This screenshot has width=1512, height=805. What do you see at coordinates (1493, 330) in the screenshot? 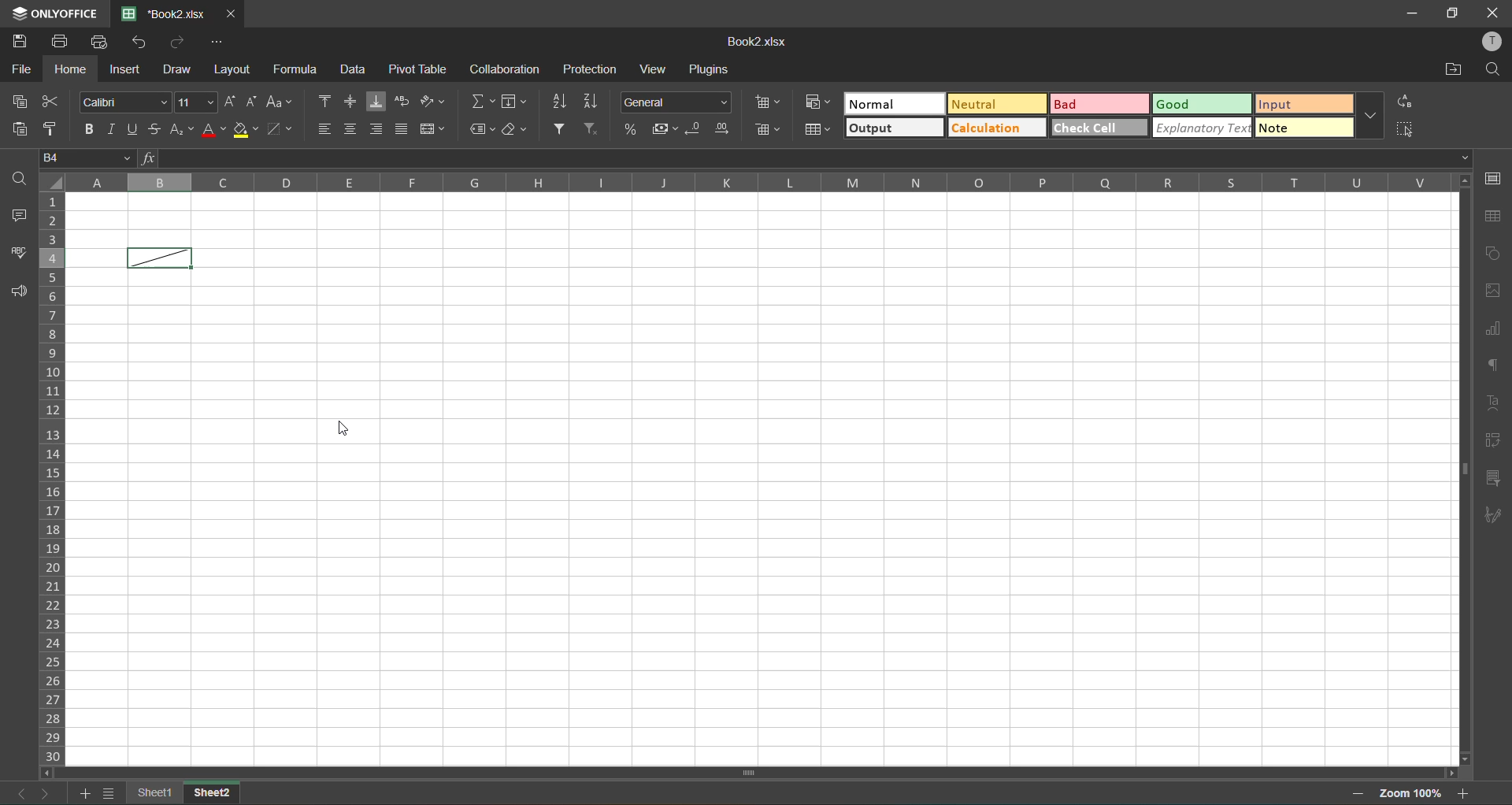
I see `charts` at bounding box center [1493, 330].